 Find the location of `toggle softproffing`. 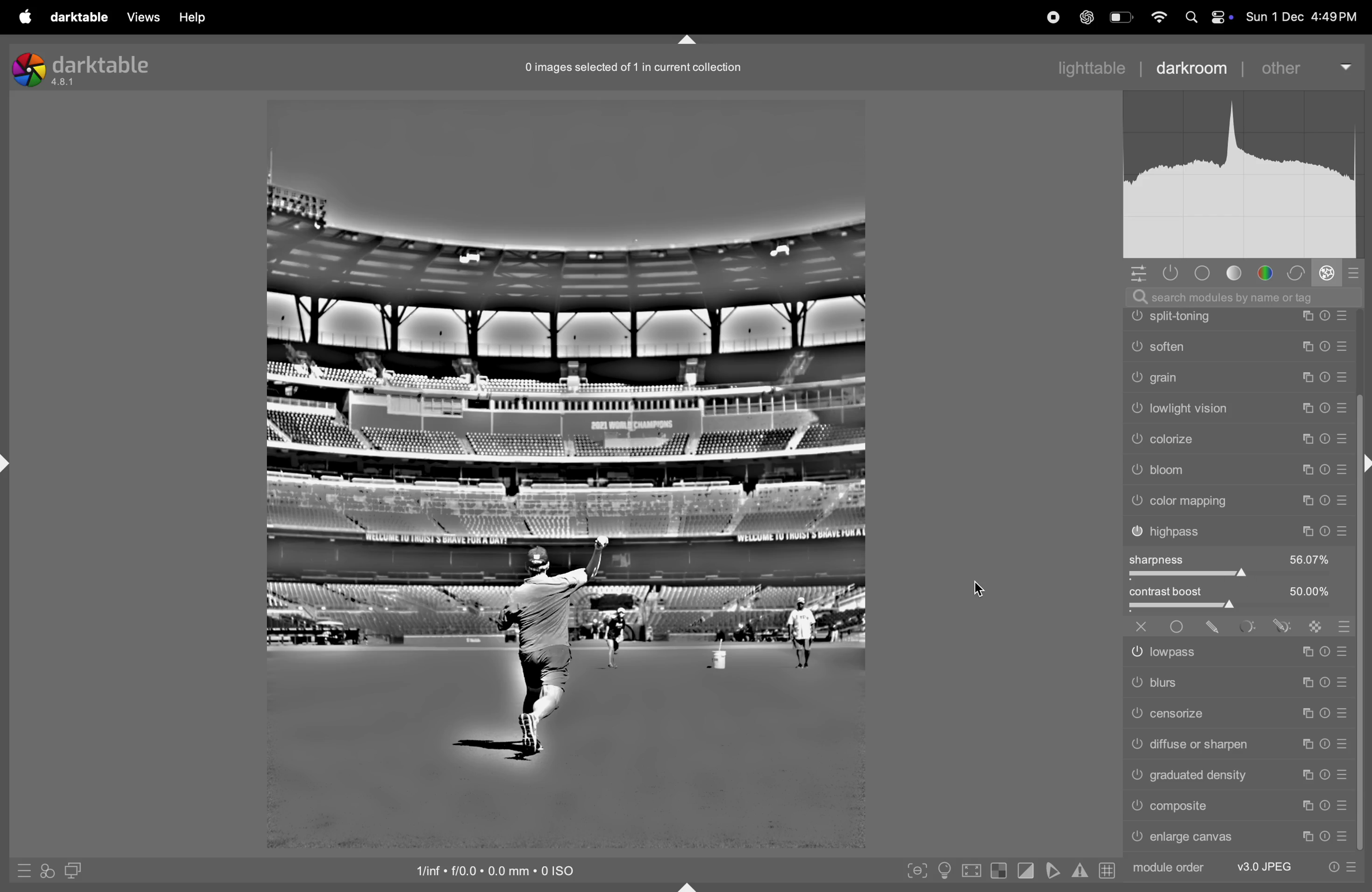

toggle softproffing is located at coordinates (1051, 871).